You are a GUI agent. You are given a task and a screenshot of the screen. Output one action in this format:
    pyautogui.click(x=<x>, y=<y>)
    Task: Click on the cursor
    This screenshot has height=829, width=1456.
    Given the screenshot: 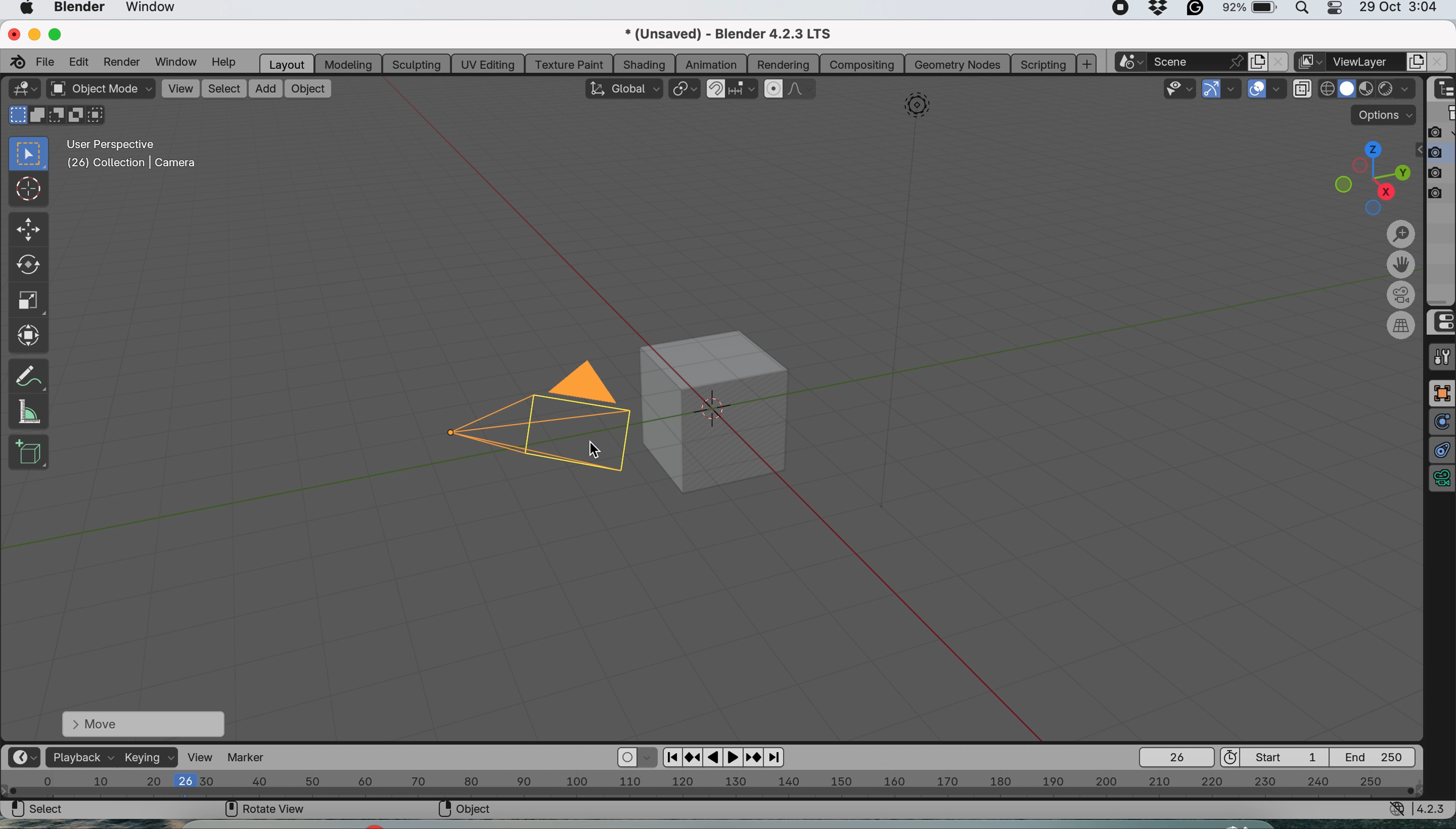 What is the action you would take?
    pyautogui.click(x=29, y=191)
    